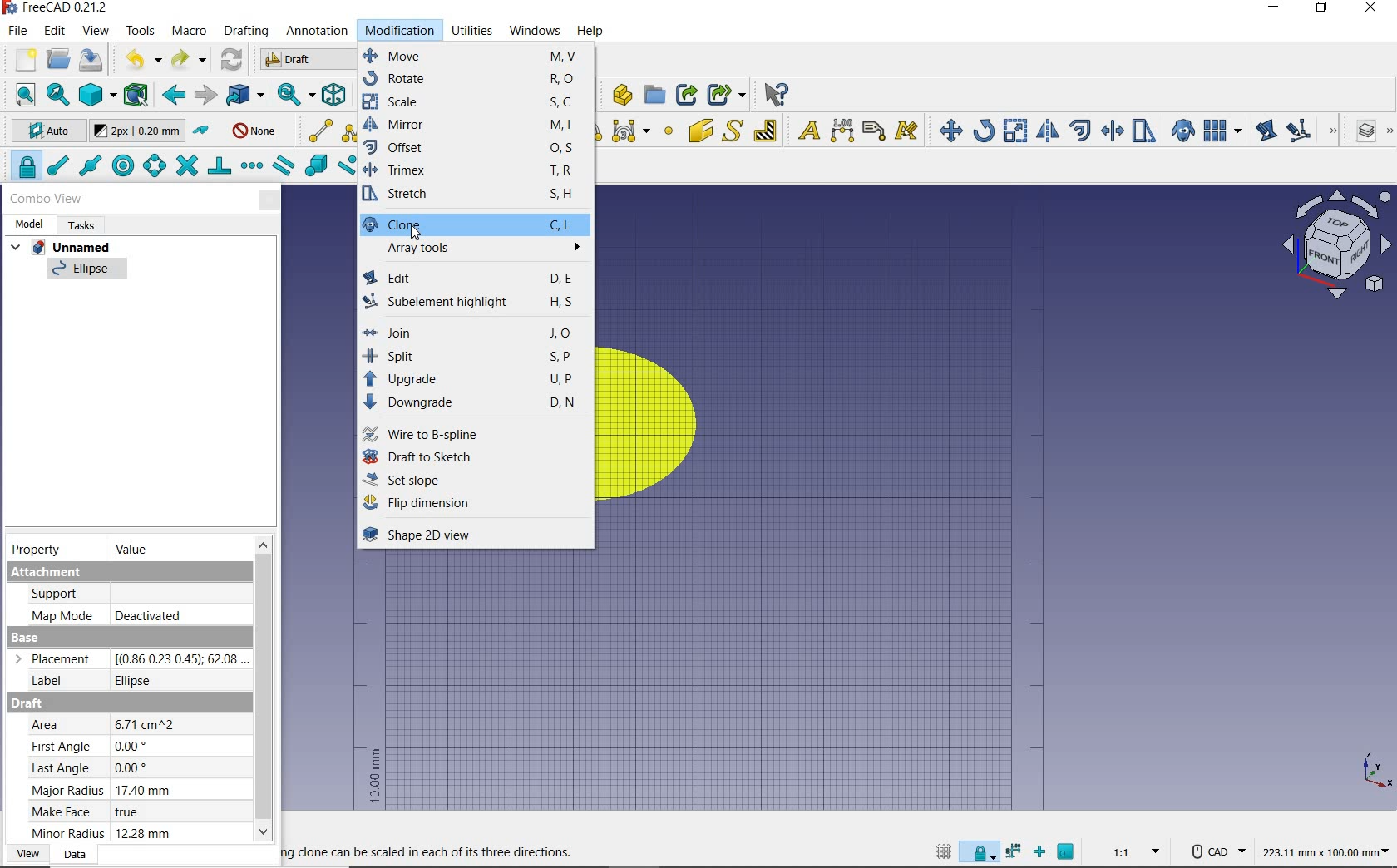 The height and width of the screenshot is (868, 1397). I want to click on snap special, so click(315, 167).